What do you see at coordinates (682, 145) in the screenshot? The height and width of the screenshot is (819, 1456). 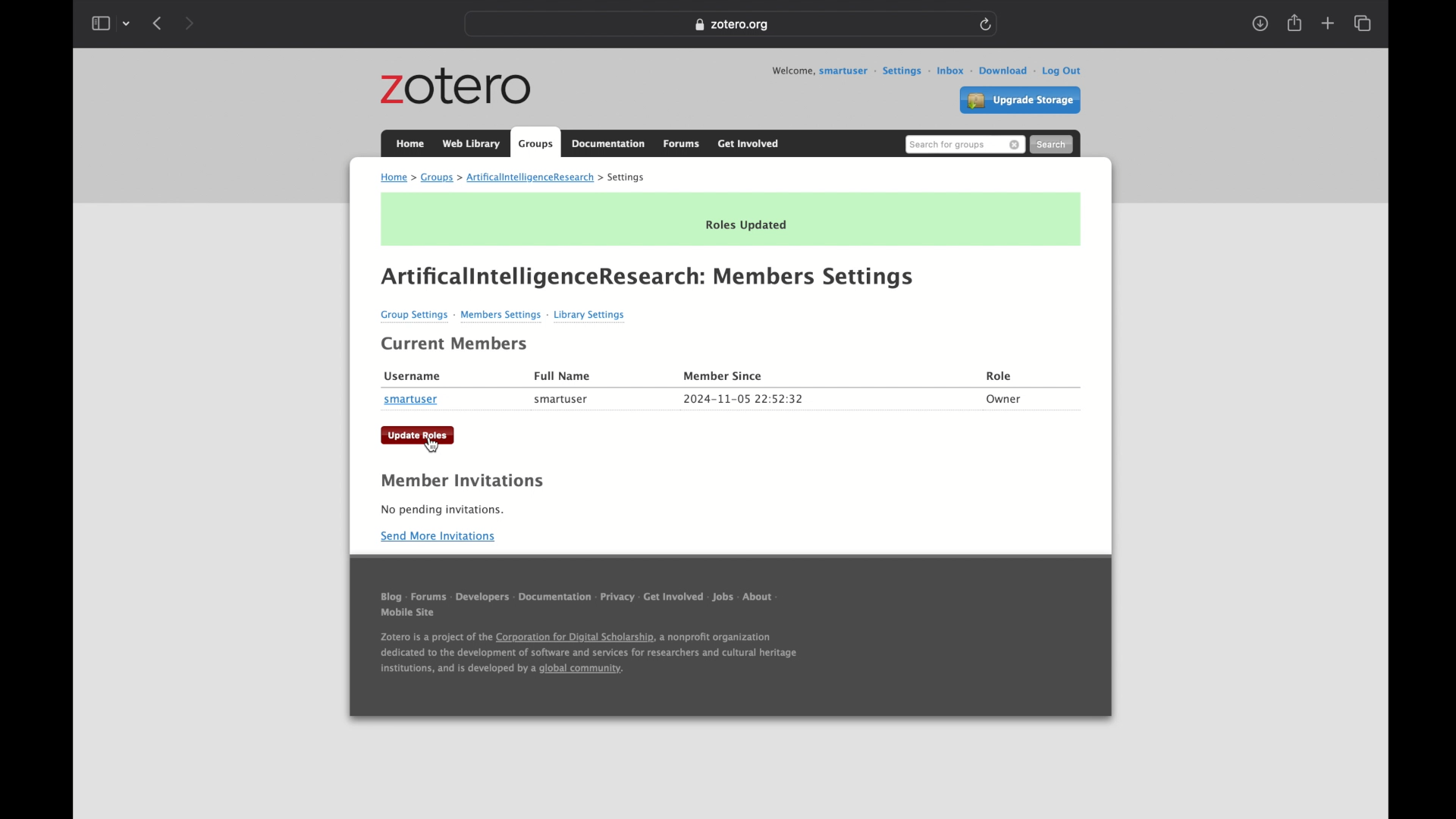 I see `forums` at bounding box center [682, 145].